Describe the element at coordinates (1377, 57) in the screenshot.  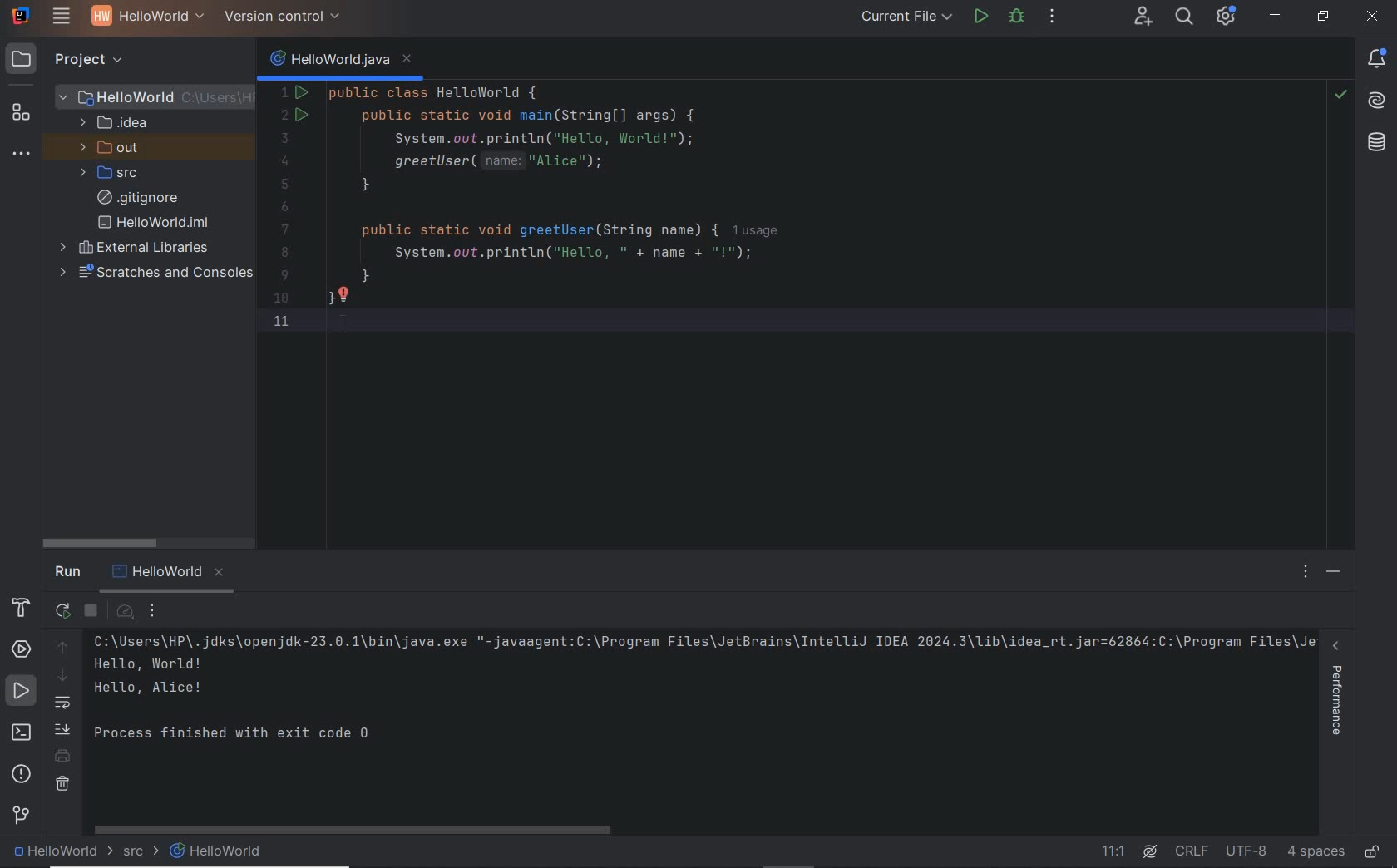
I see `Notifications` at that location.